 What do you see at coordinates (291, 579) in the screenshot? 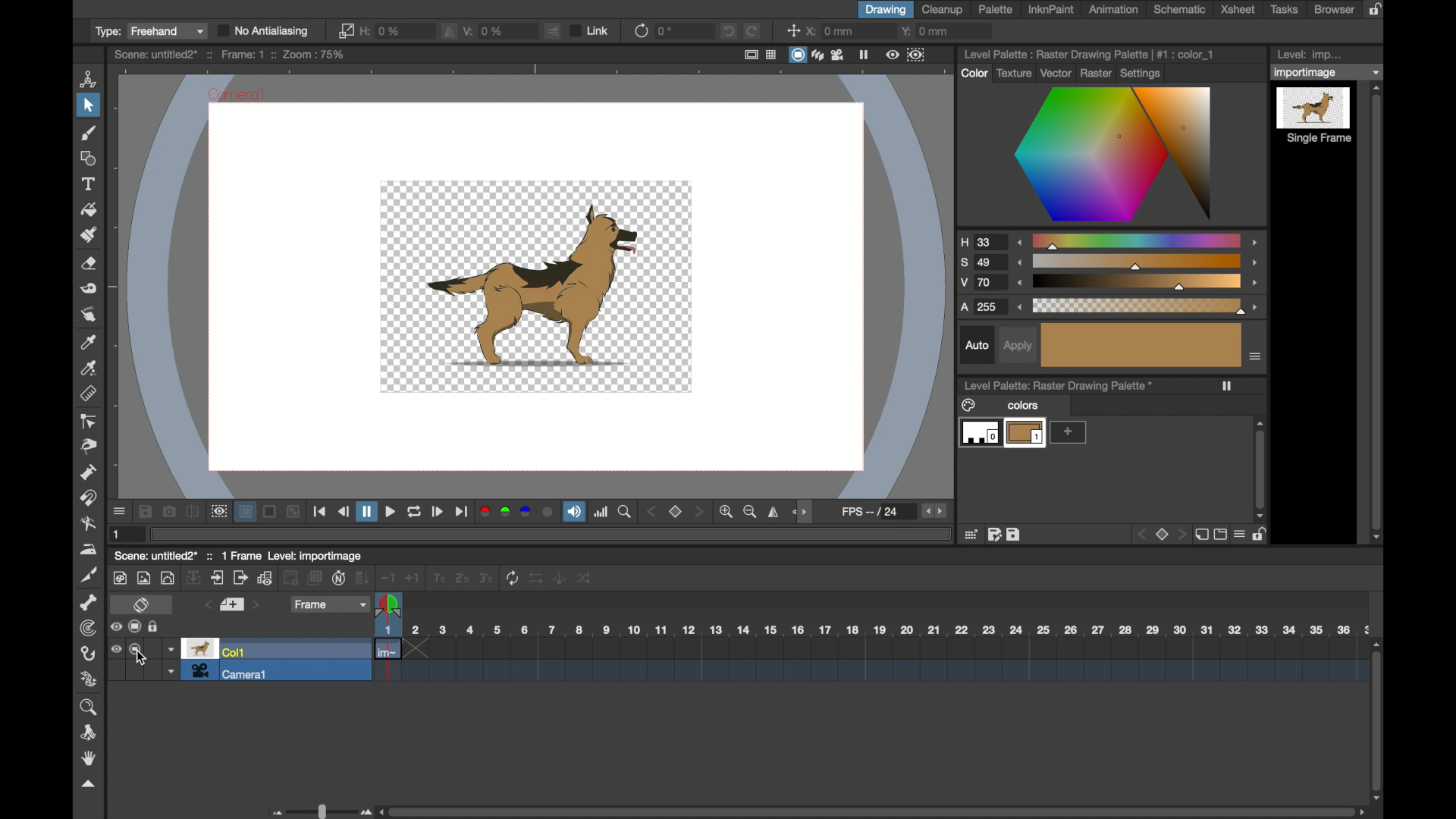
I see `back` at bounding box center [291, 579].